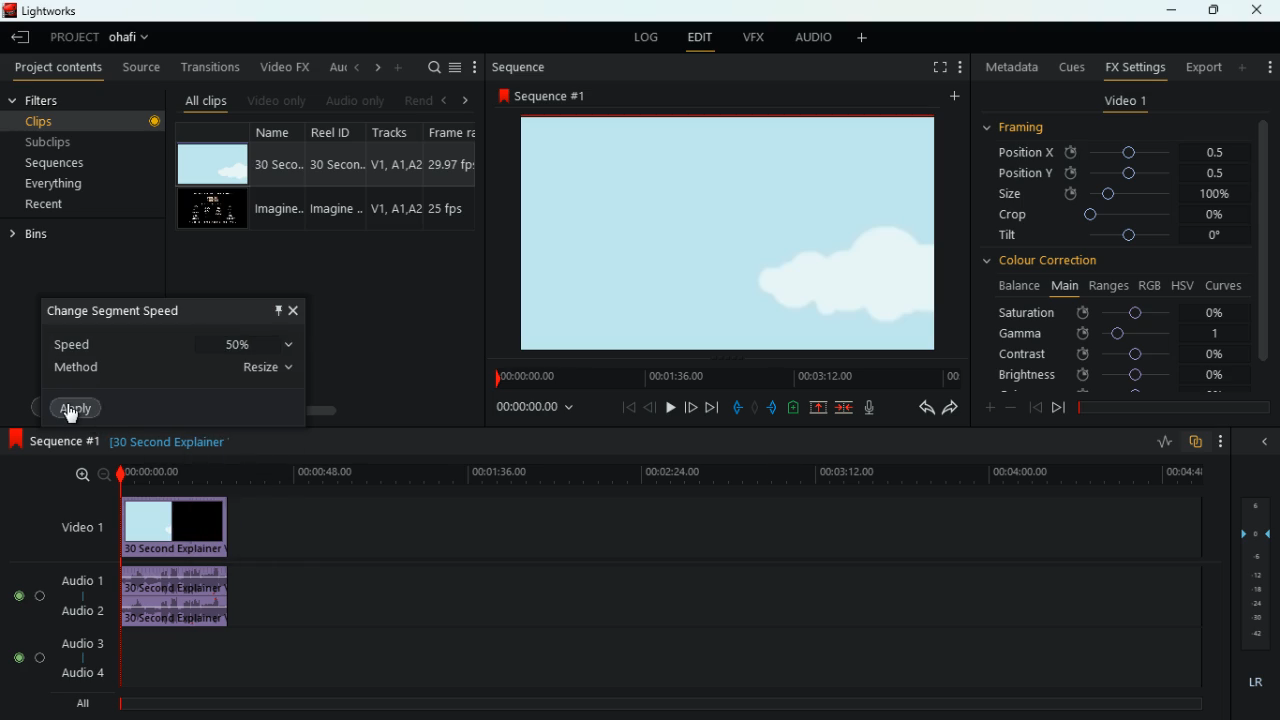 This screenshot has height=720, width=1280. What do you see at coordinates (1210, 11) in the screenshot?
I see `maximize` at bounding box center [1210, 11].